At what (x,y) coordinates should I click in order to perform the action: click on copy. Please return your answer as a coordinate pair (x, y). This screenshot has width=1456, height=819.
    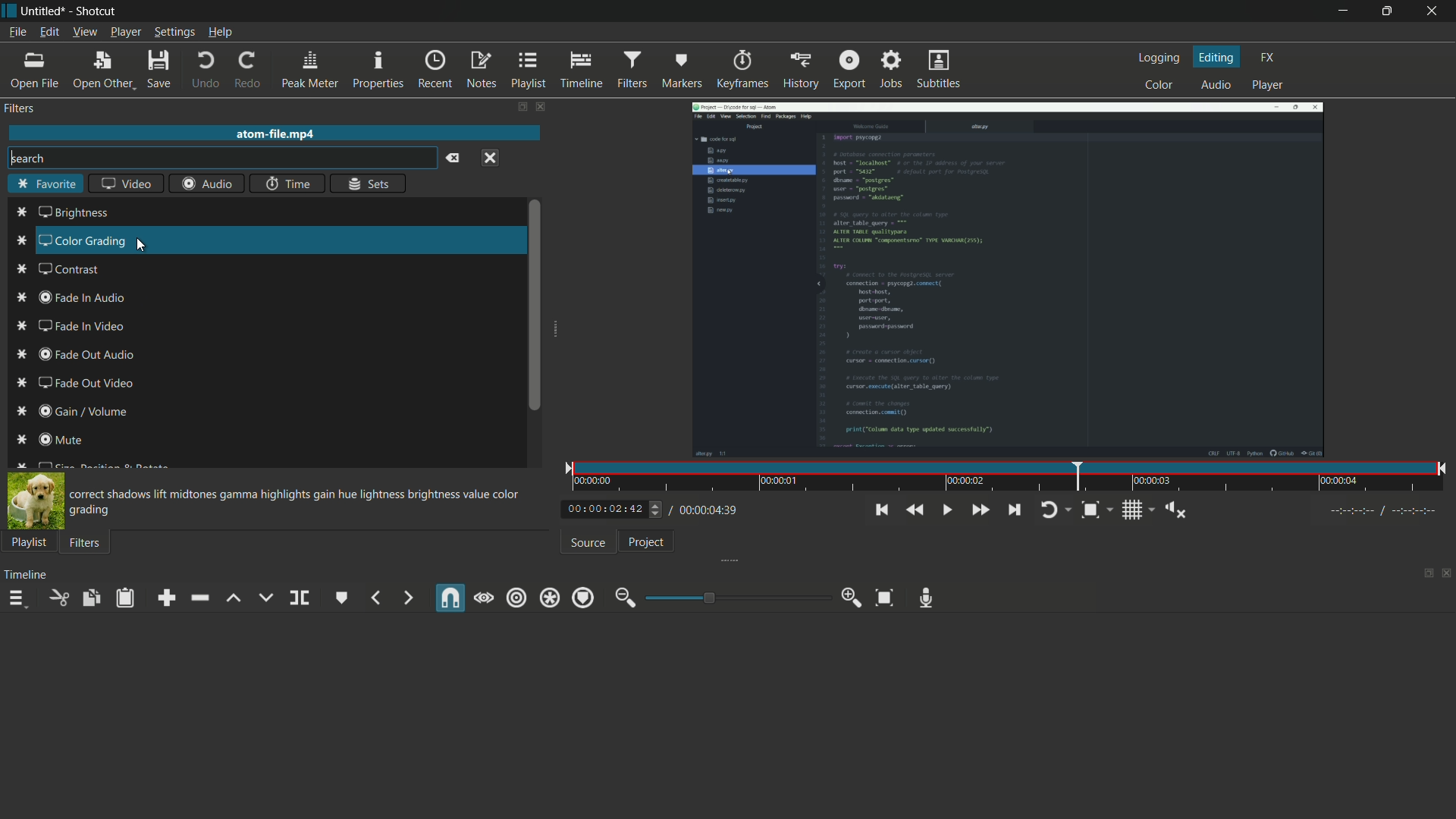
    Looking at the image, I should click on (90, 598).